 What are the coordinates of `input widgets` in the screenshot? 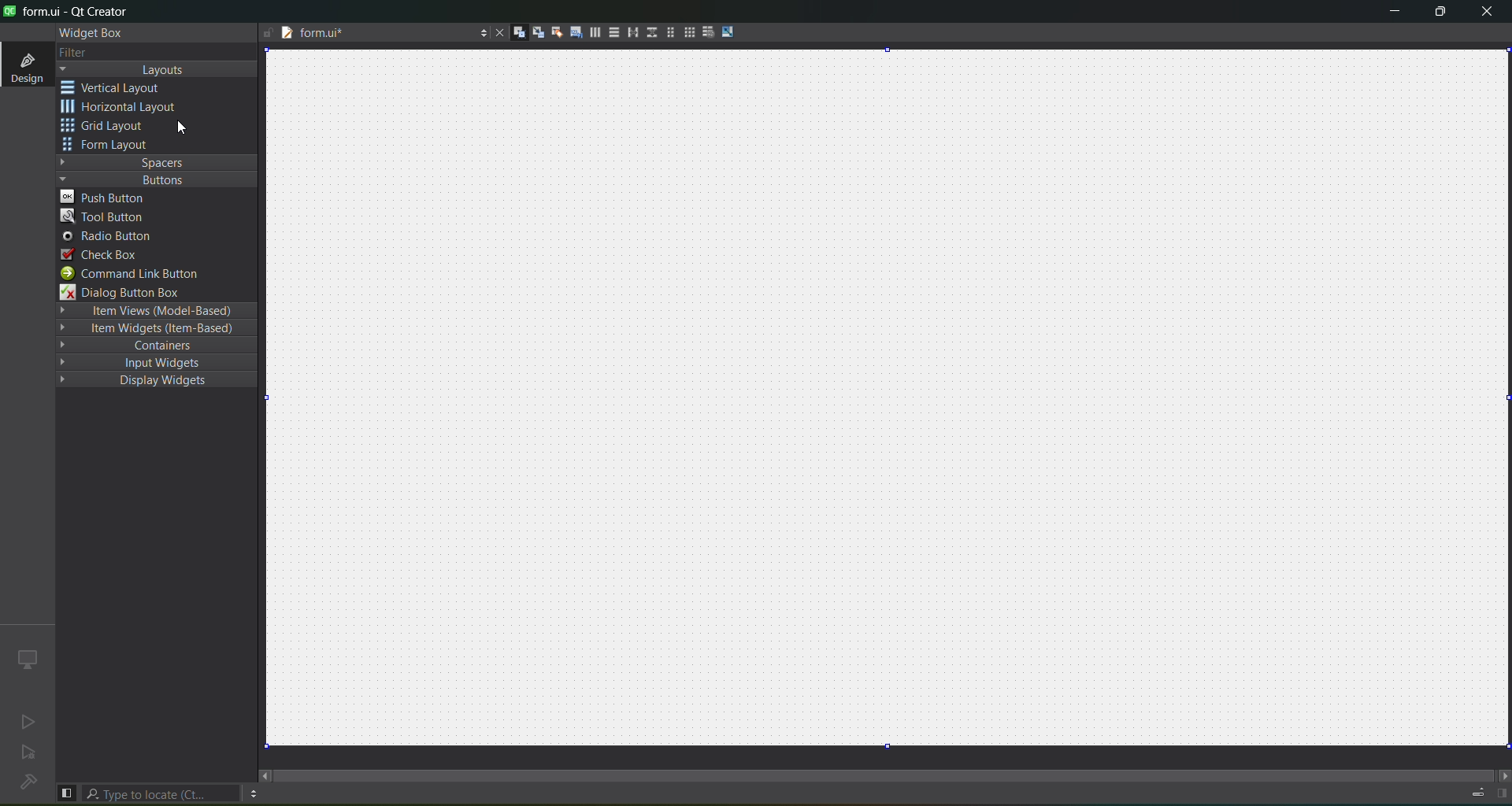 It's located at (149, 362).